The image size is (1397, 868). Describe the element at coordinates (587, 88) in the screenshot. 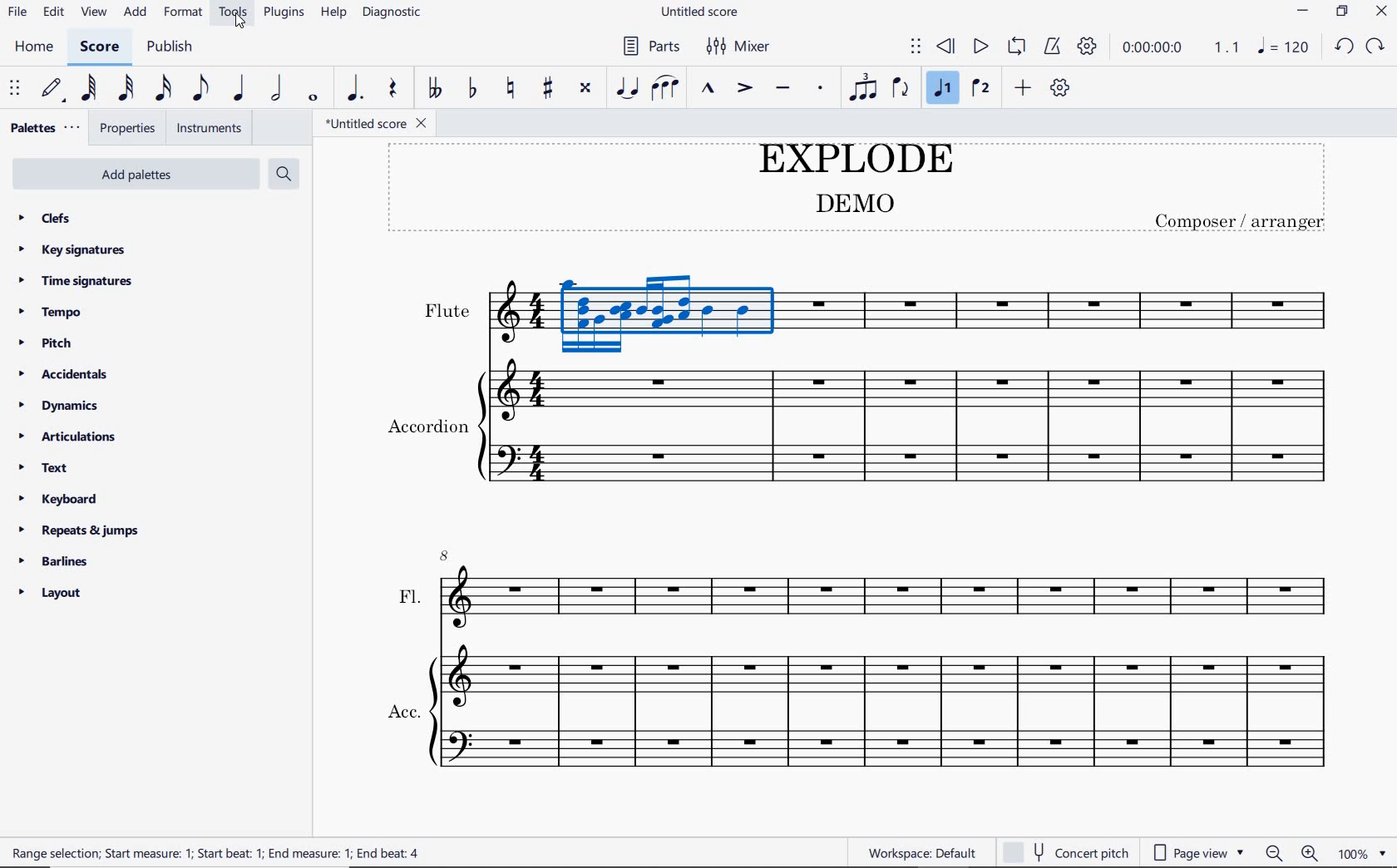

I see `toggle double-sharp` at that location.